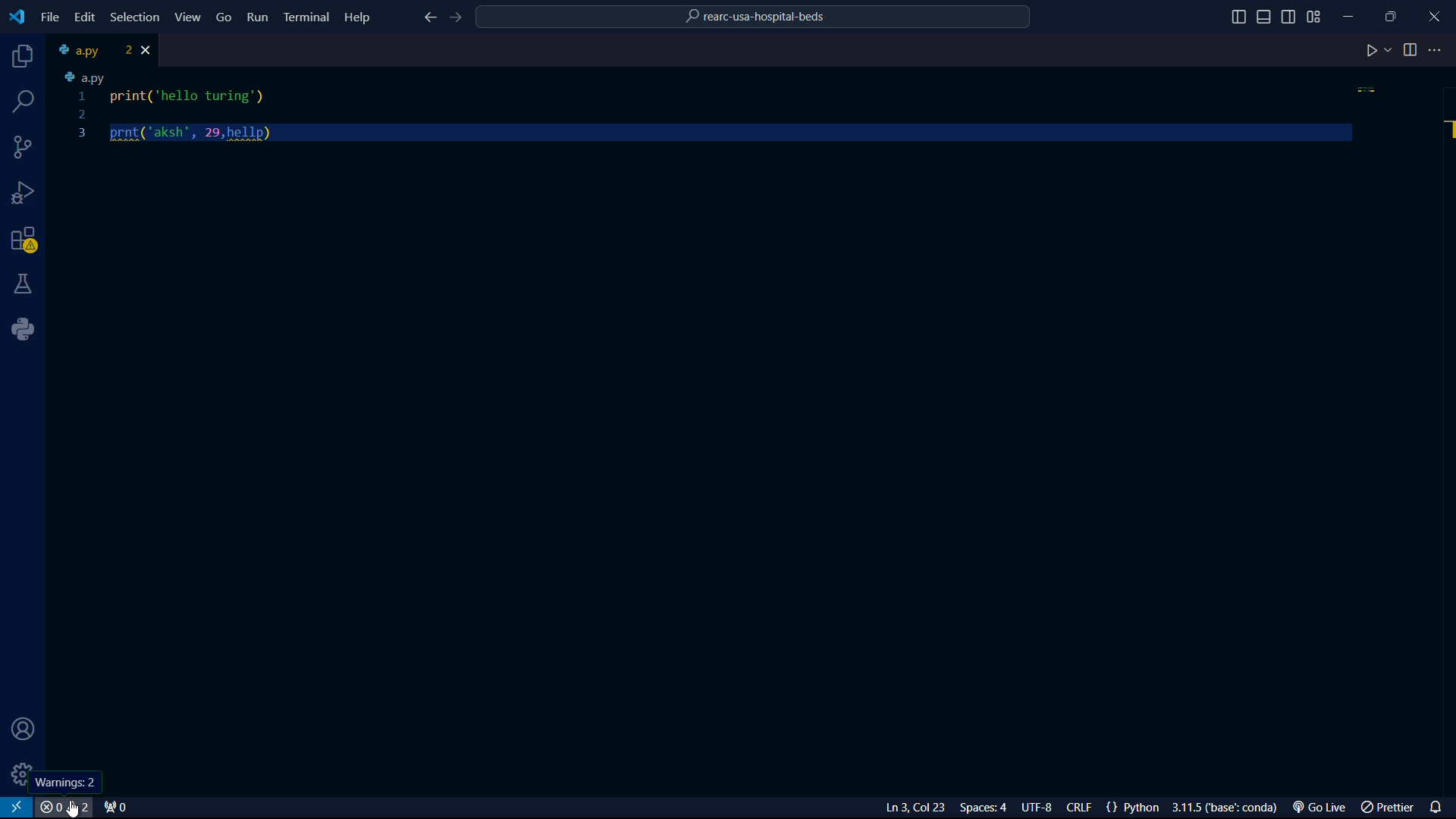 The image size is (1456, 819). What do you see at coordinates (189, 17) in the screenshot?
I see `View` at bounding box center [189, 17].